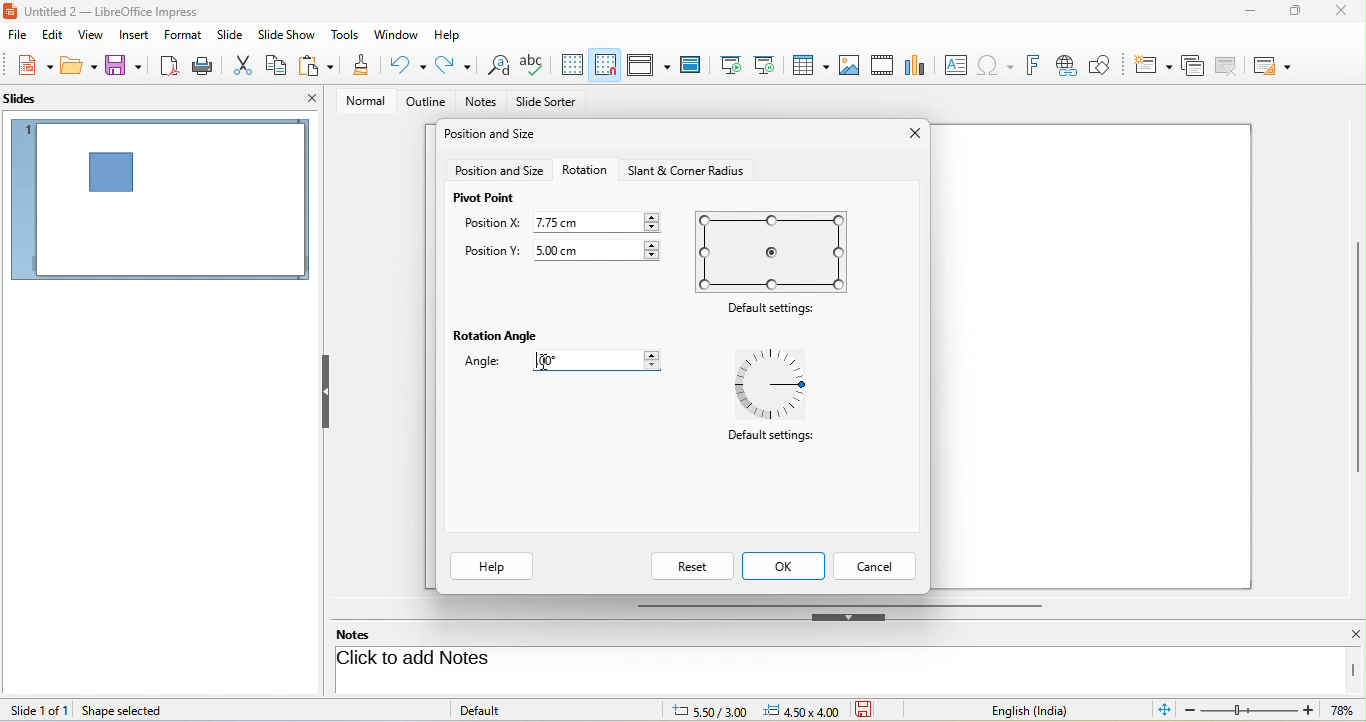  Describe the element at coordinates (572, 65) in the screenshot. I see `display grid` at that location.